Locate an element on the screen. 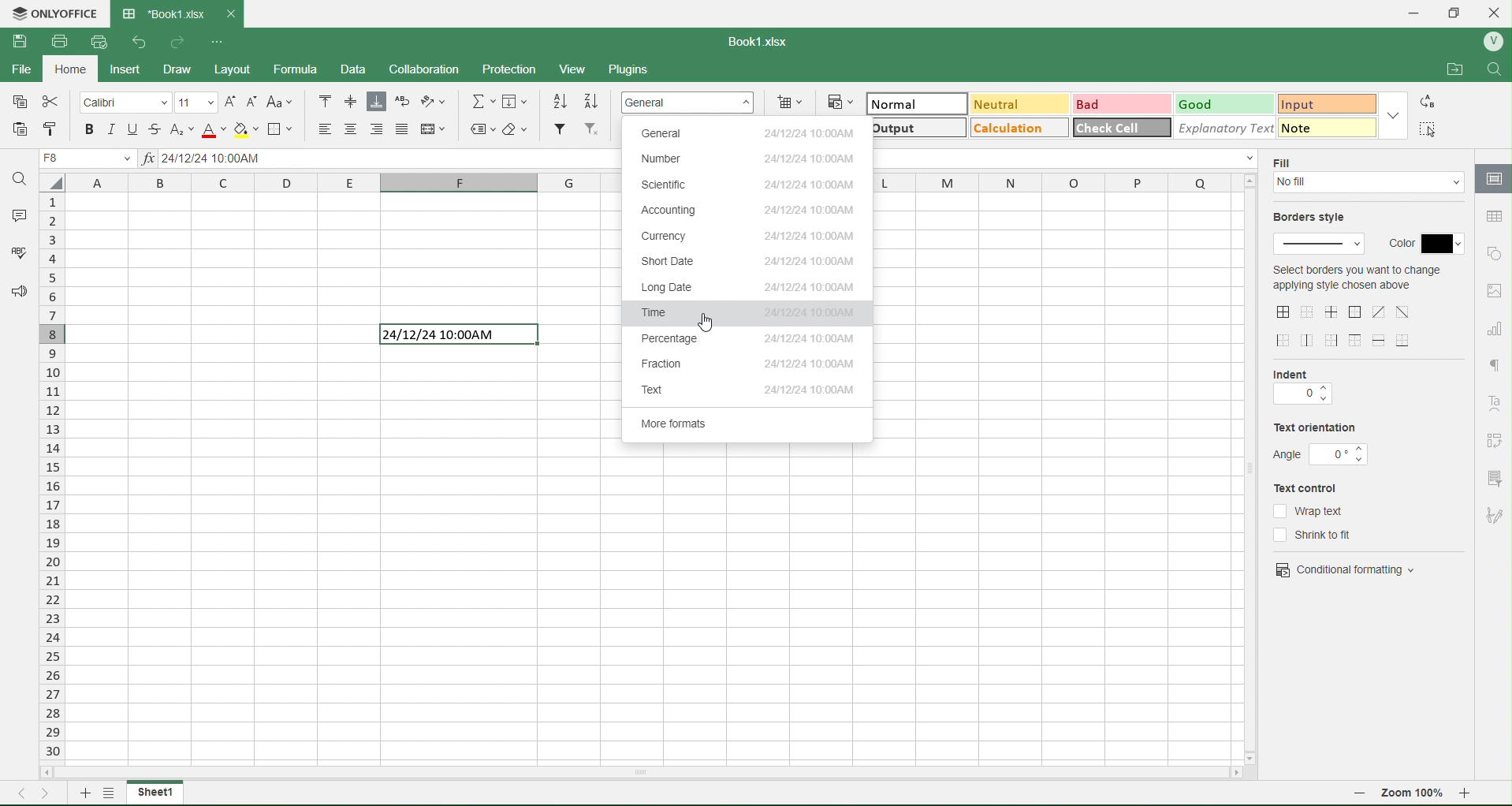 The image size is (1512, 806). minimize is located at coordinates (1414, 13).